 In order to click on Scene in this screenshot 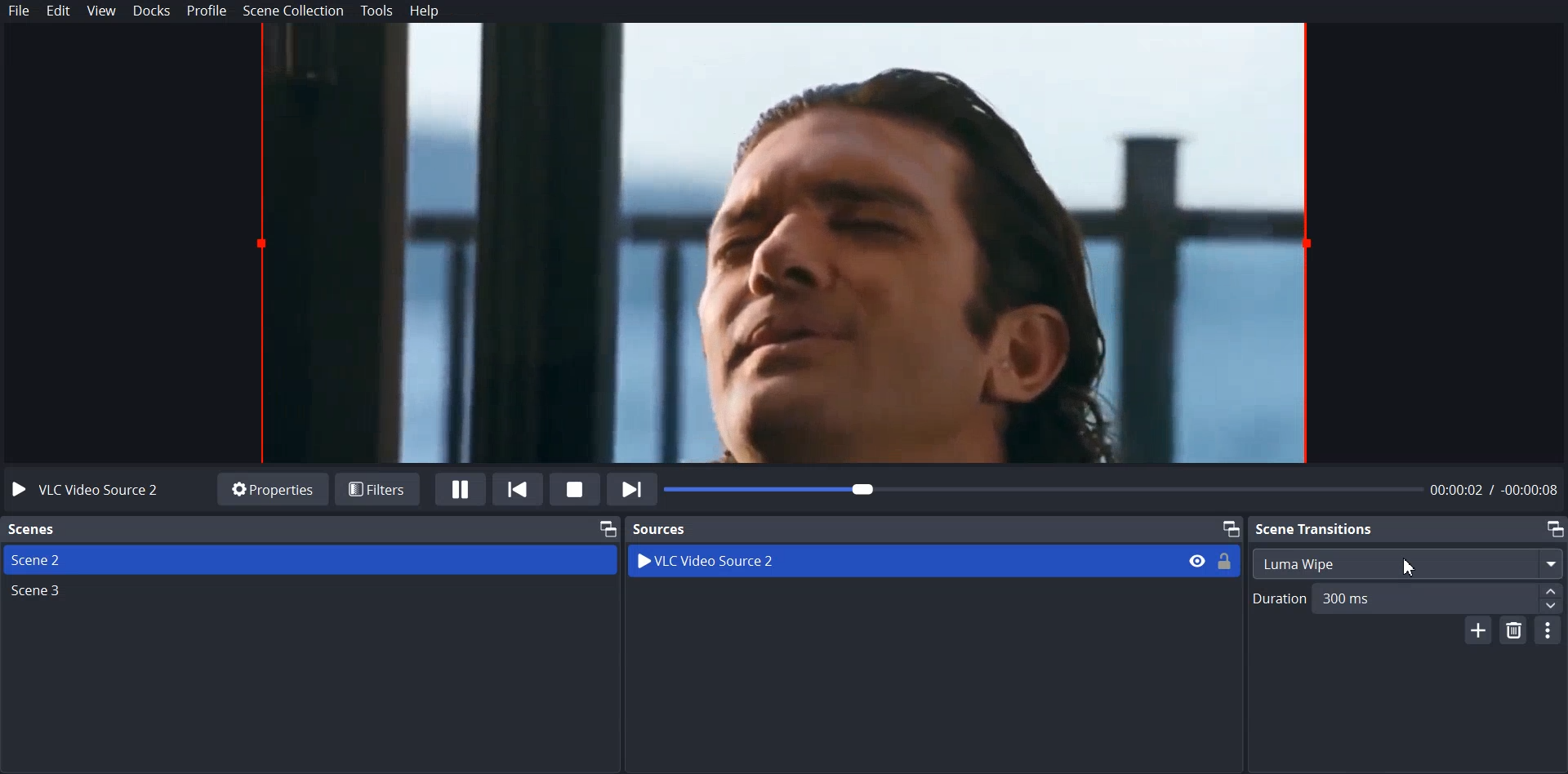, I will do `click(33, 530)`.